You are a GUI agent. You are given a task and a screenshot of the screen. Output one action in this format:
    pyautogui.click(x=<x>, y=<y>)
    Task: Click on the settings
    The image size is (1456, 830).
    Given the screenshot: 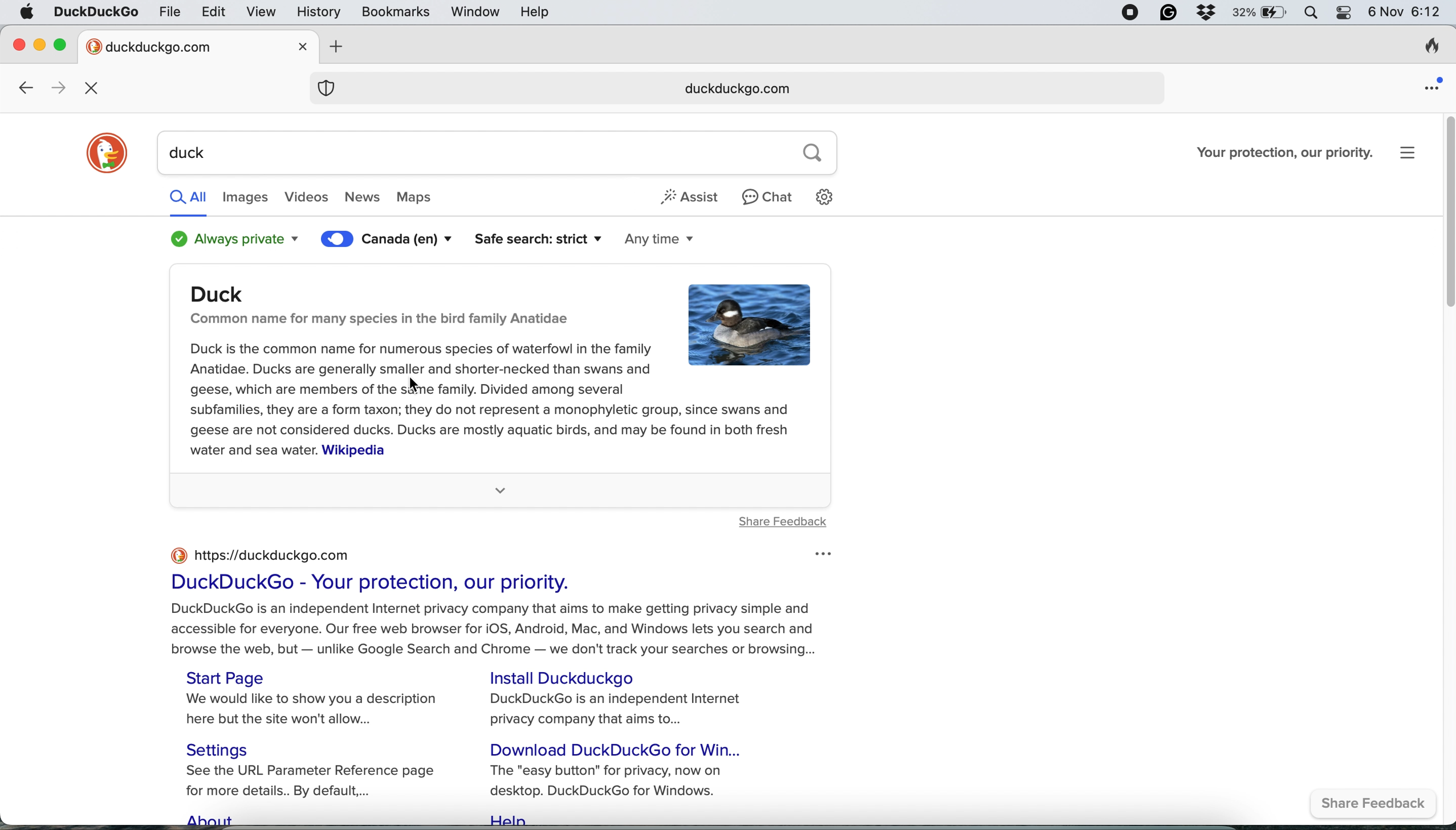 What is the action you would take?
    pyautogui.click(x=1414, y=152)
    